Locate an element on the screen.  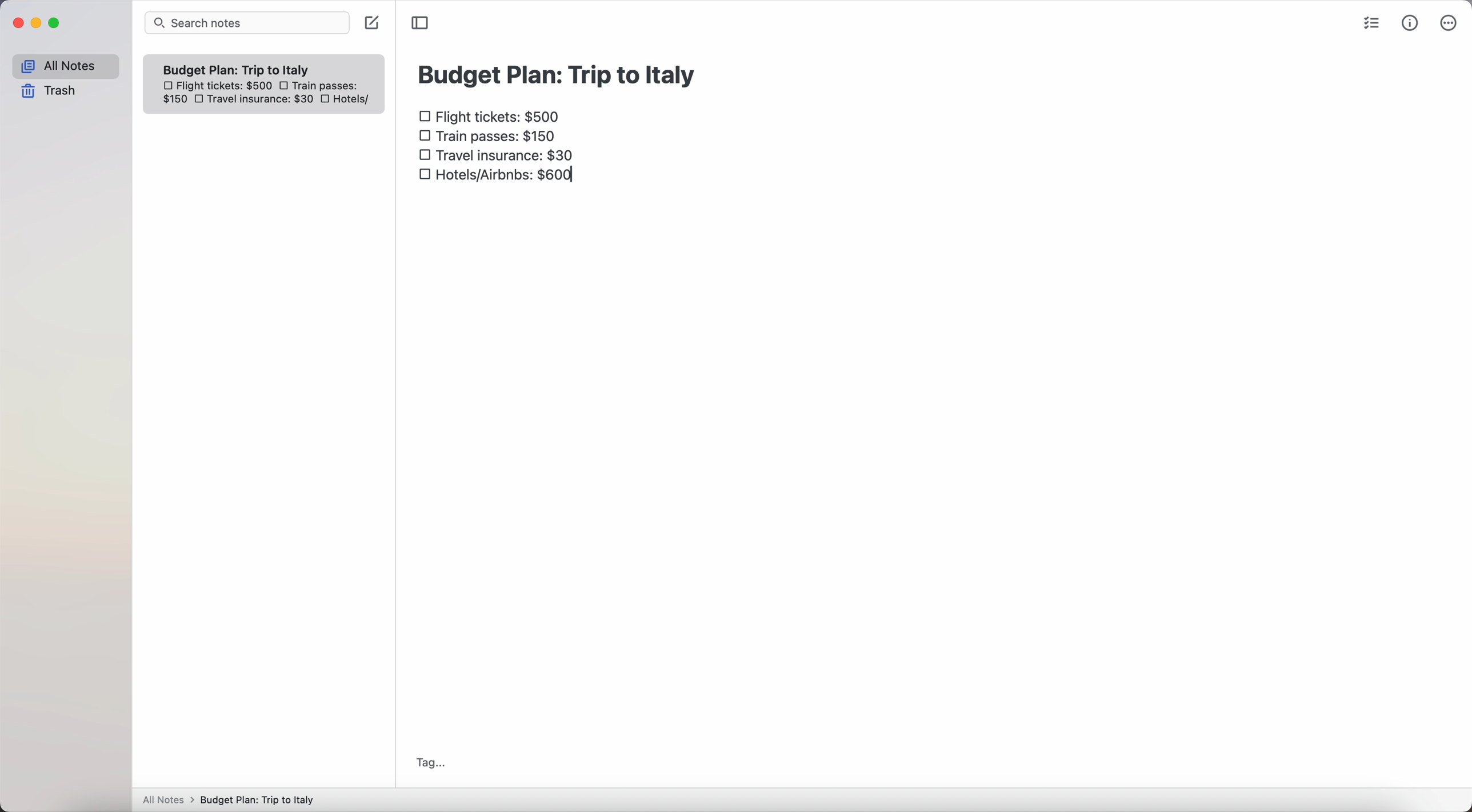
hotels/airbnbs is located at coordinates (513, 177).